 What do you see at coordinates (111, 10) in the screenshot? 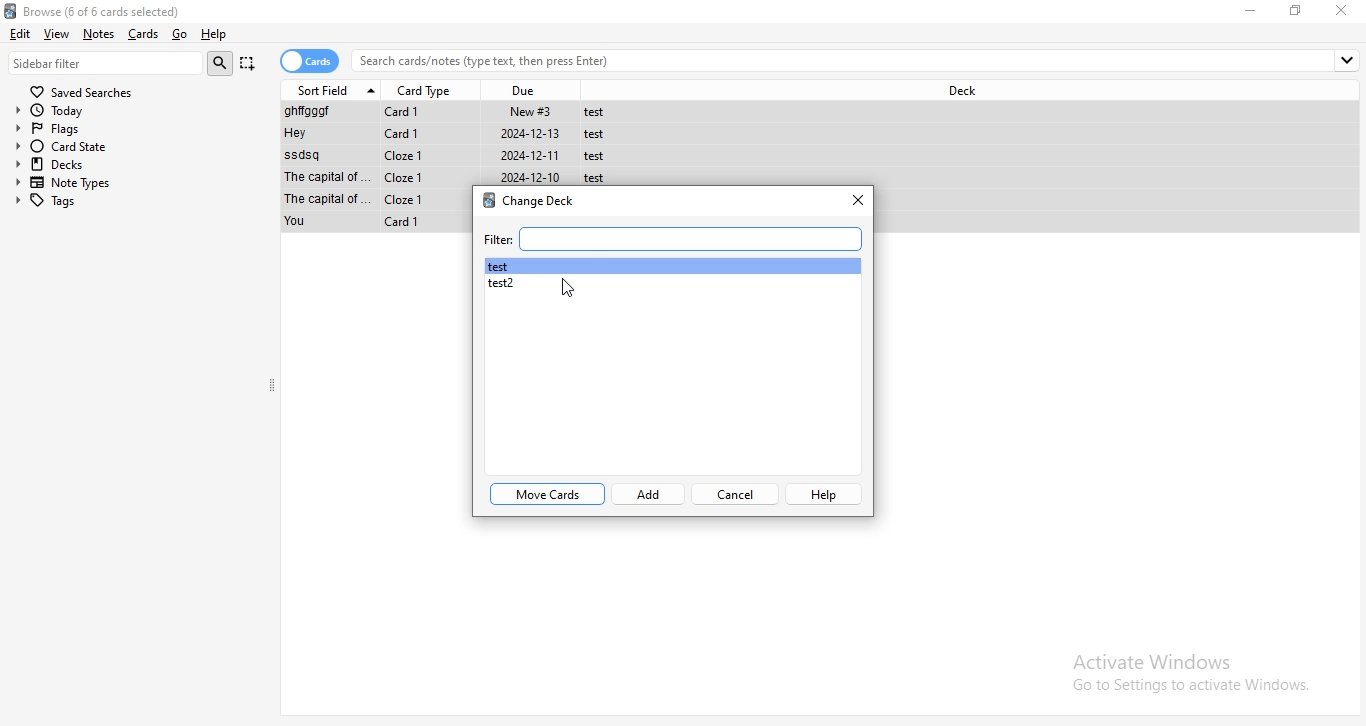
I see `Browse (0 of 6 cards selected)` at bounding box center [111, 10].